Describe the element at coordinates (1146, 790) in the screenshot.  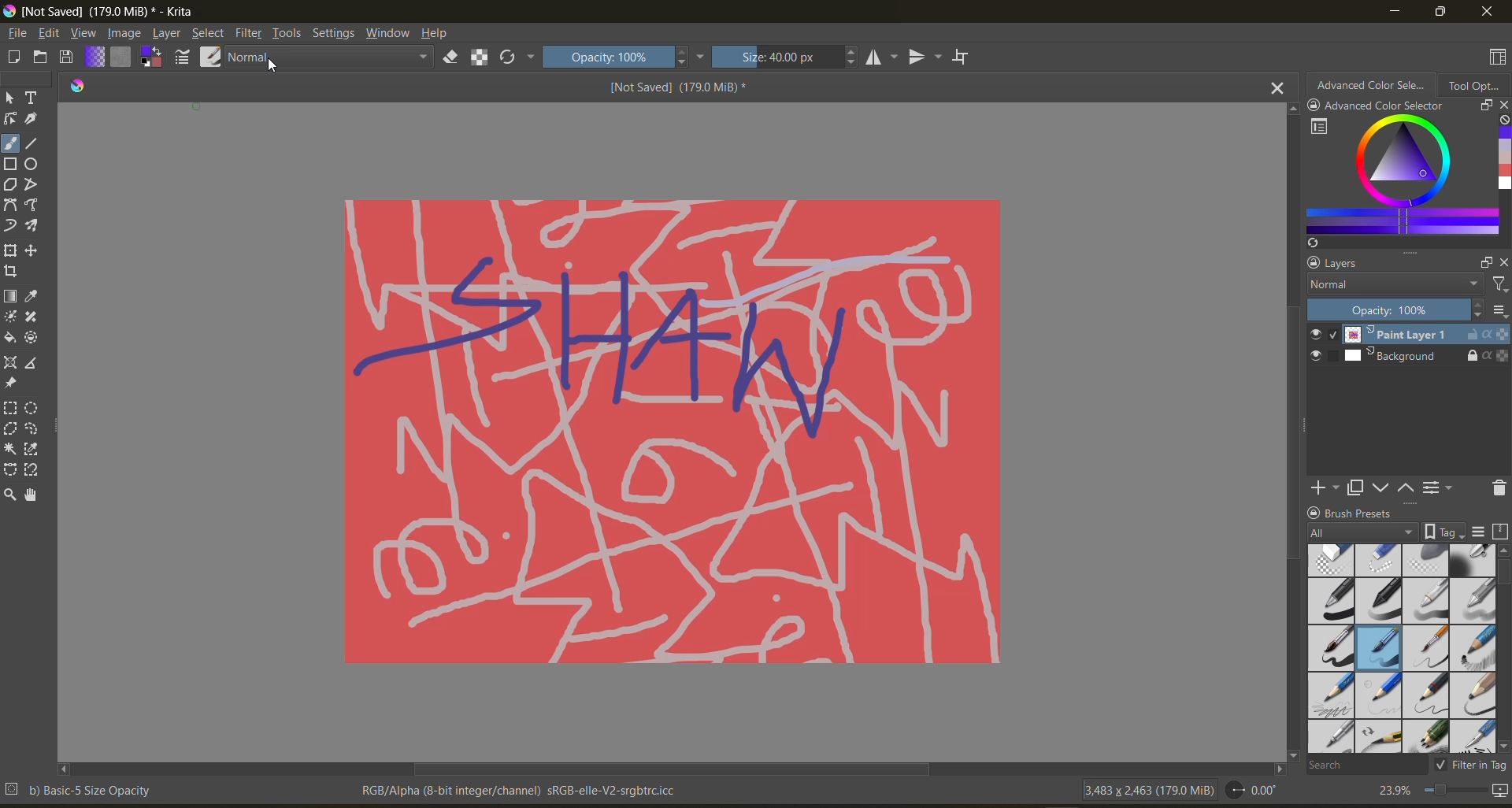
I see `3,483 x 2,463 (179.0 MiB)` at that location.